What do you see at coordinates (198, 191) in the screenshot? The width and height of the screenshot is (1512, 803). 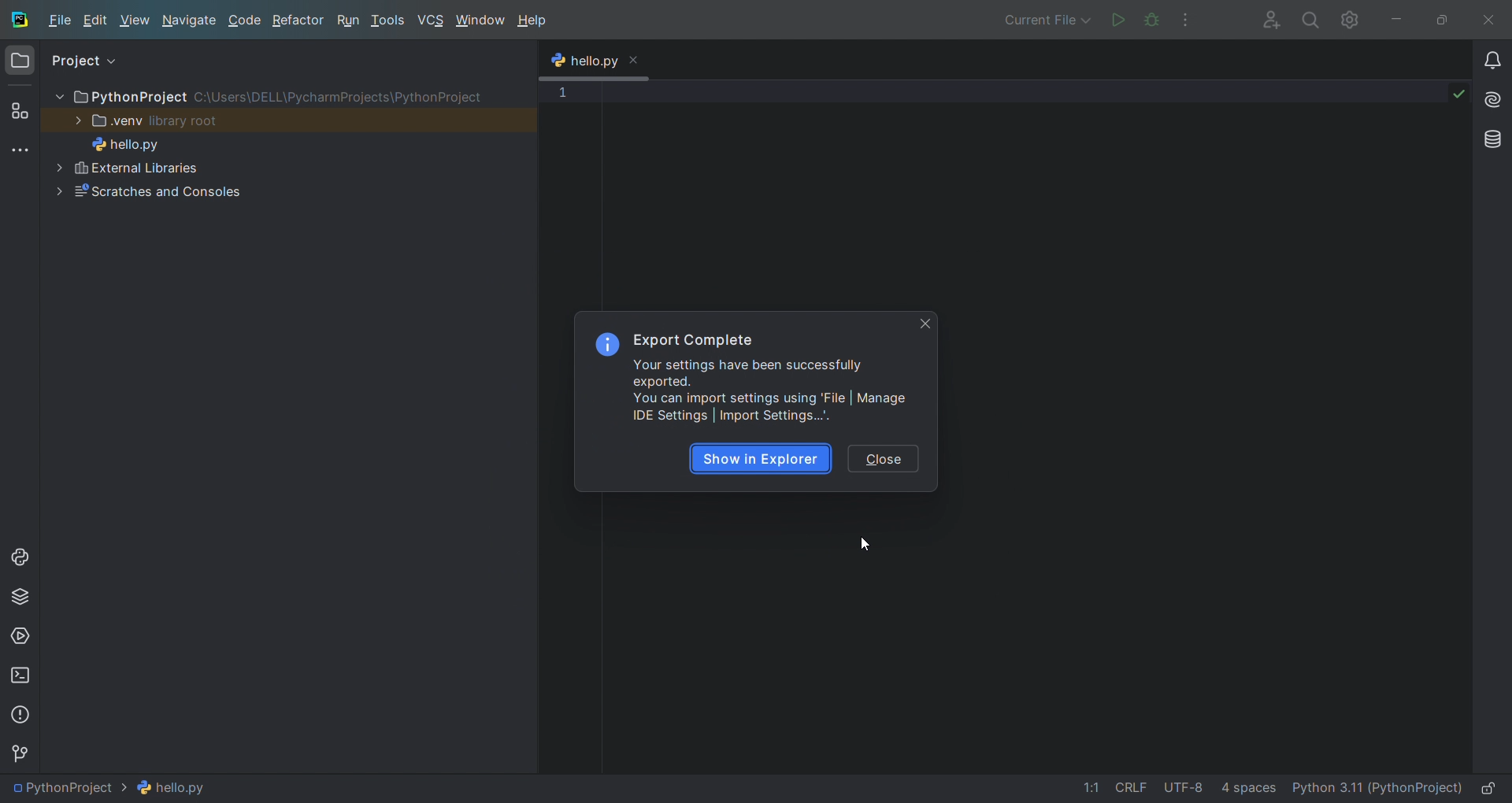 I see `Scratches and Consoles` at bounding box center [198, 191].